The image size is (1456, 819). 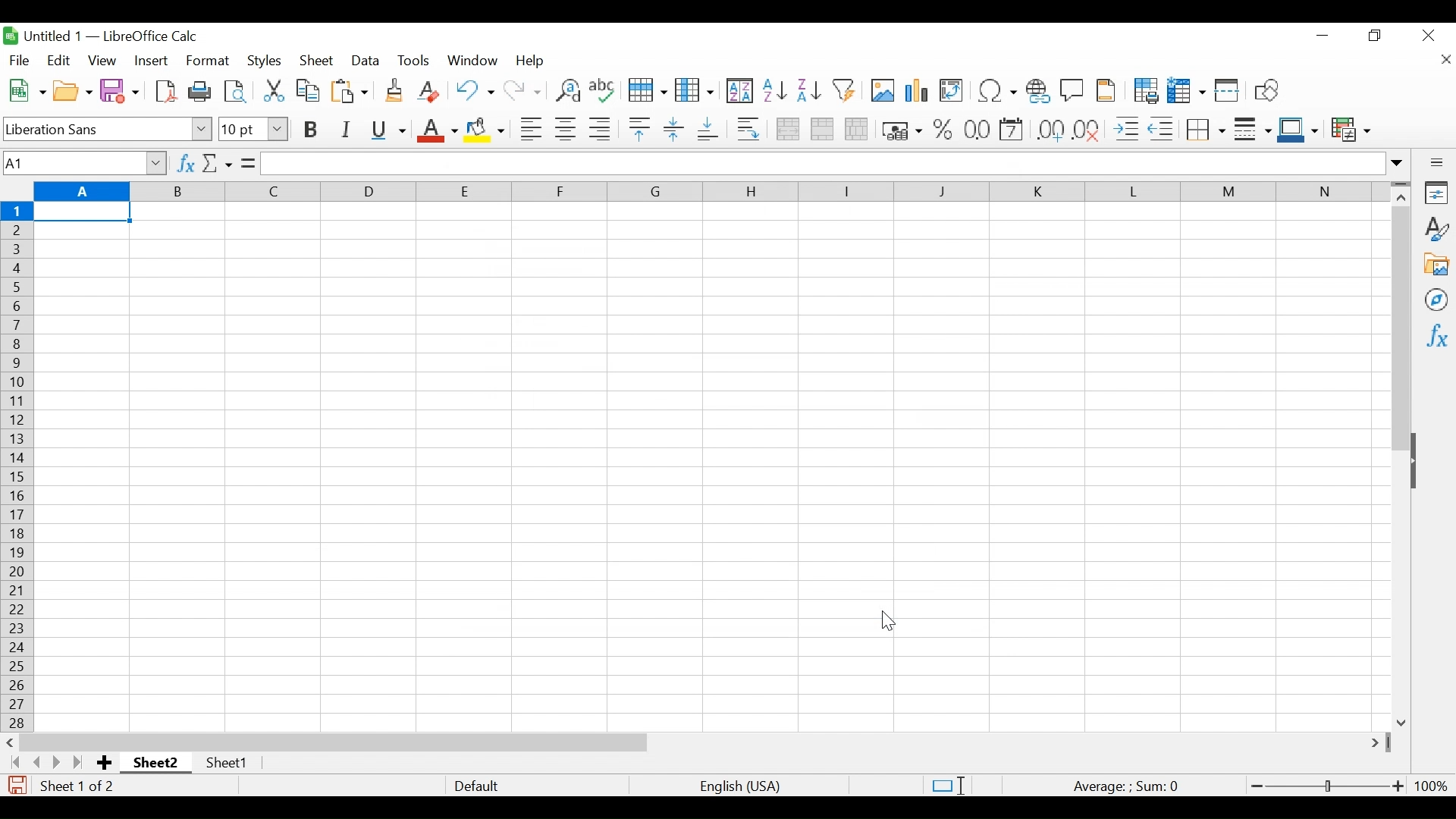 I want to click on Properties, so click(x=1435, y=193).